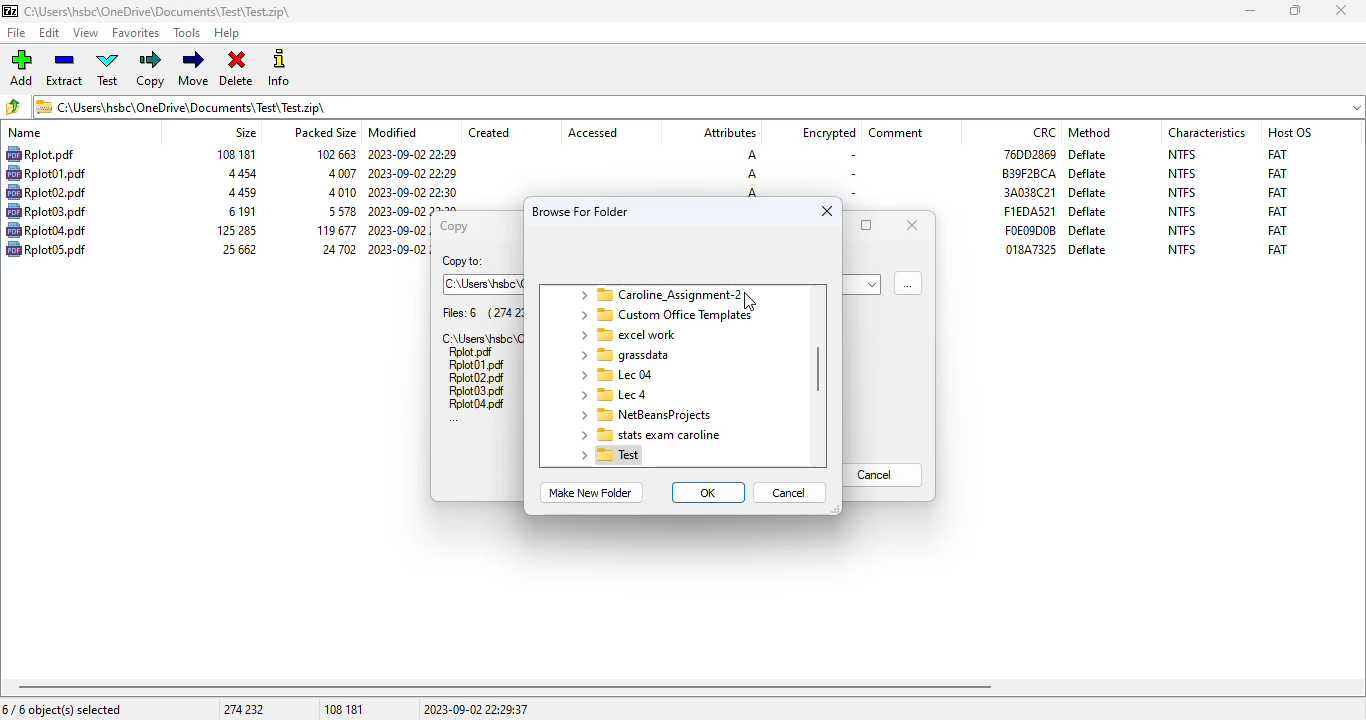 The width and height of the screenshot is (1366, 720). What do you see at coordinates (850, 192) in the screenshot?
I see `-` at bounding box center [850, 192].